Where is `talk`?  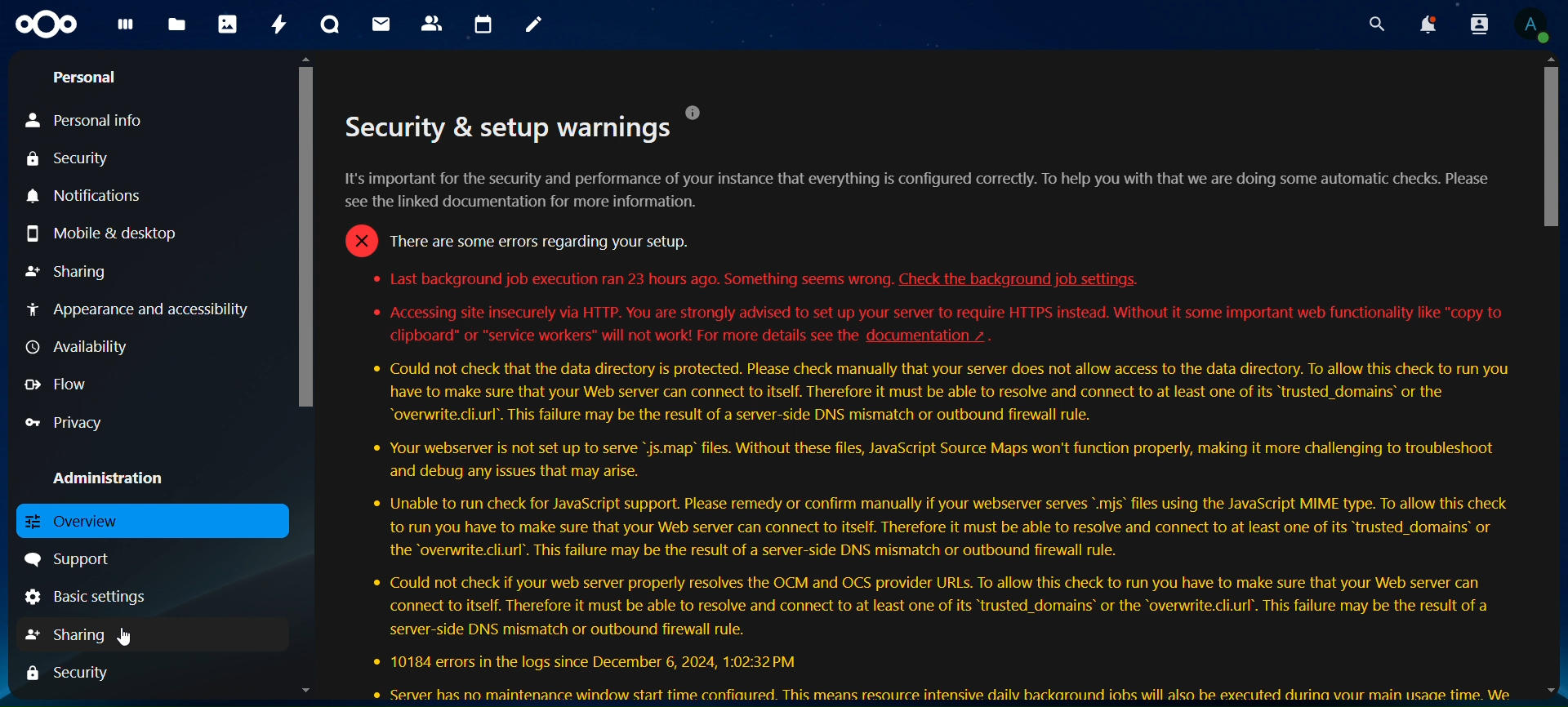
talk is located at coordinates (329, 24).